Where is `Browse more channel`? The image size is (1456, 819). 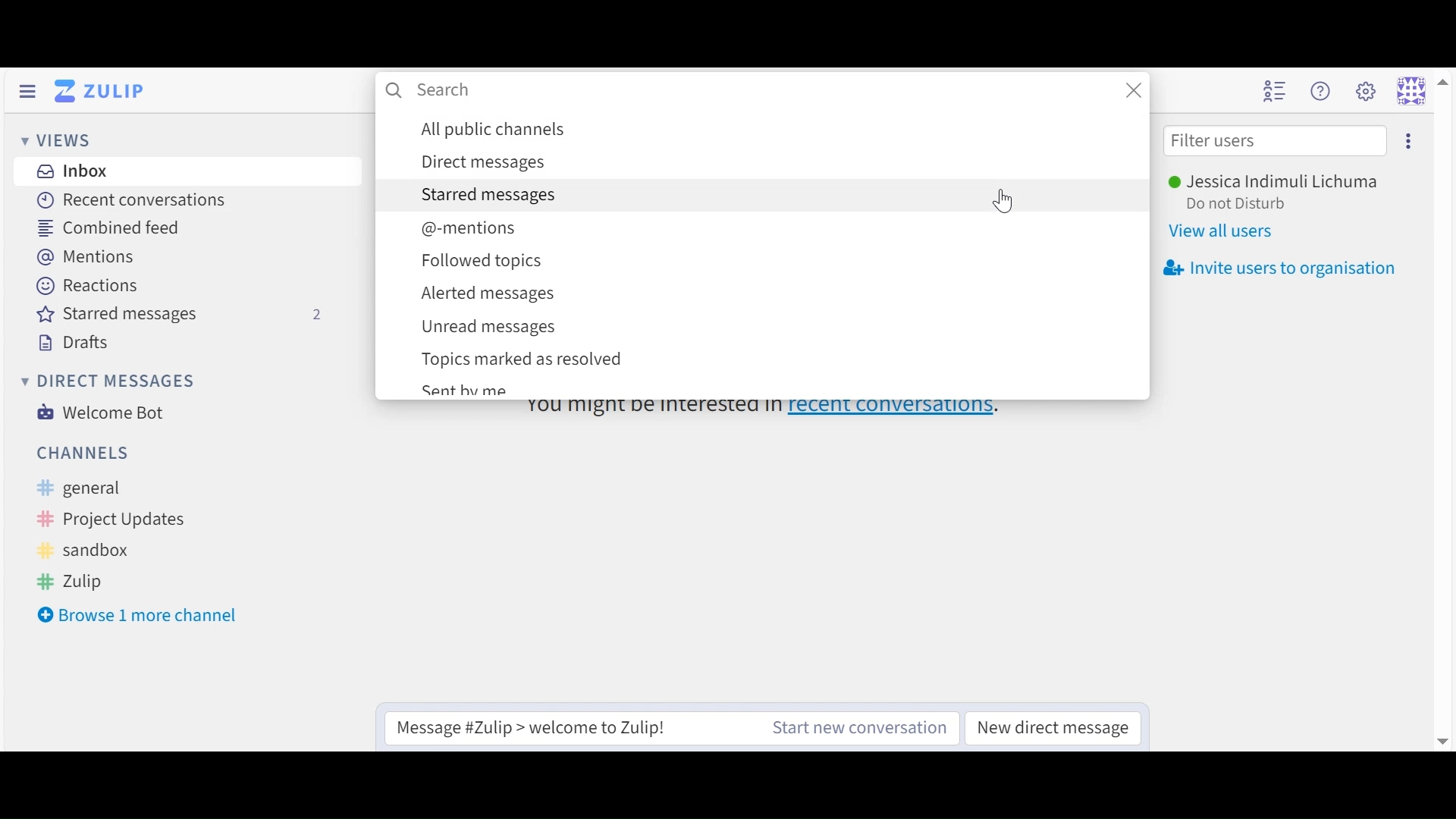 Browse more channel is located at coordinates (142, 617).